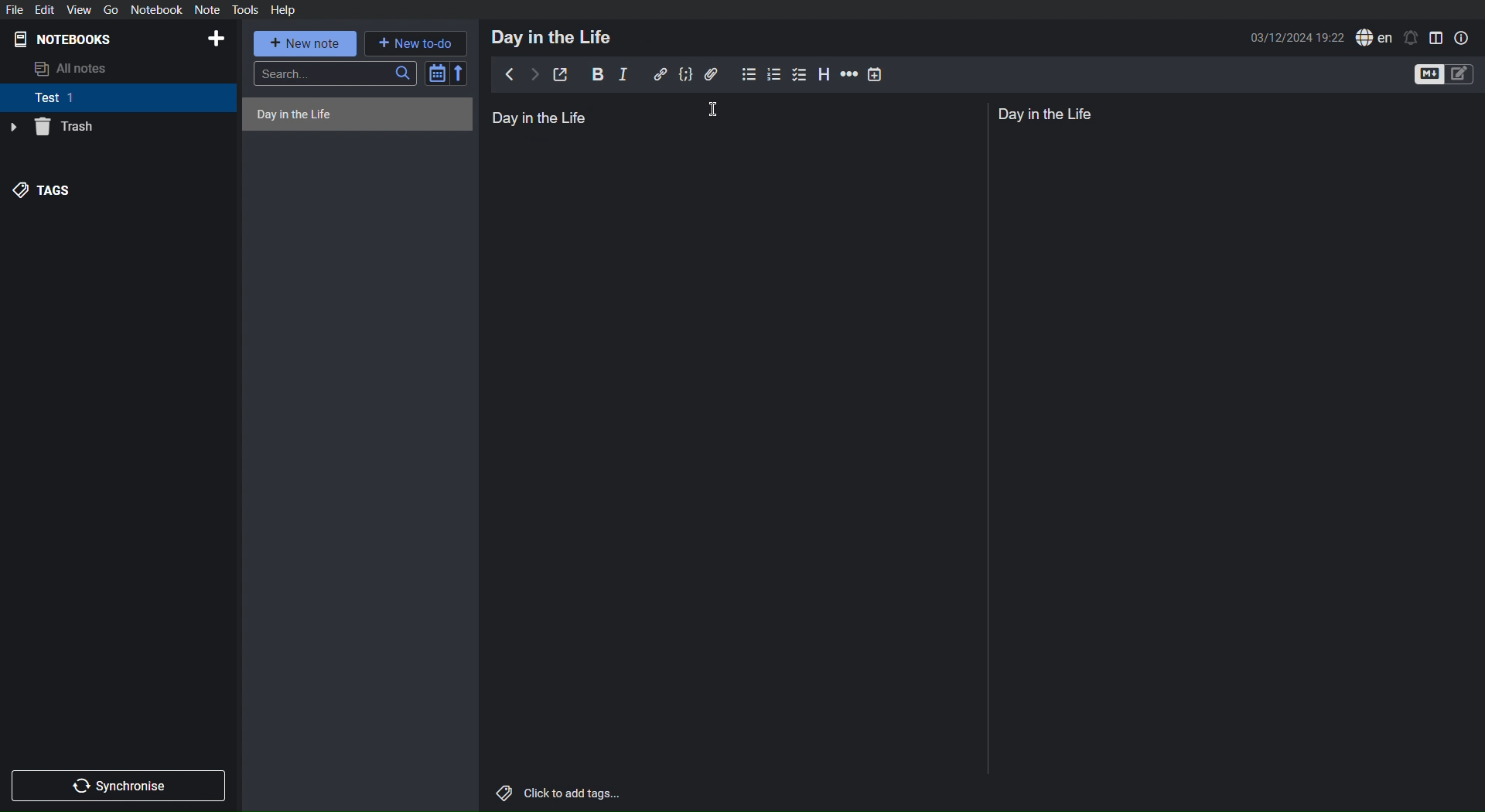 This screenshot has width=1485, height=812. What do you see at coordinates (335, 74) in the screenshot?
I see `Search` at bounding box center [335, 74].